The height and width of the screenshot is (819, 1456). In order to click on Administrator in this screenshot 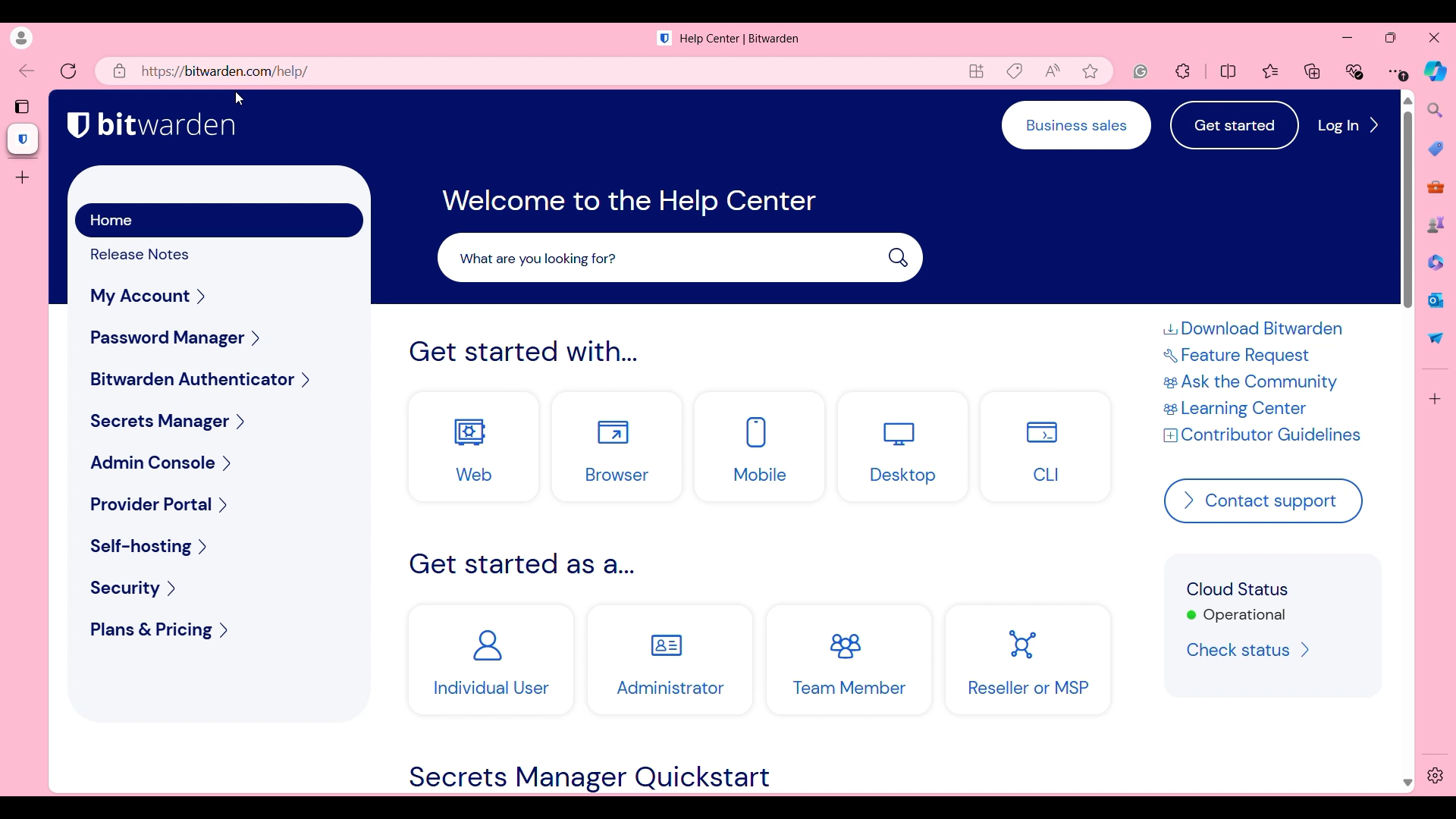, I will do `click(670, 661)`.